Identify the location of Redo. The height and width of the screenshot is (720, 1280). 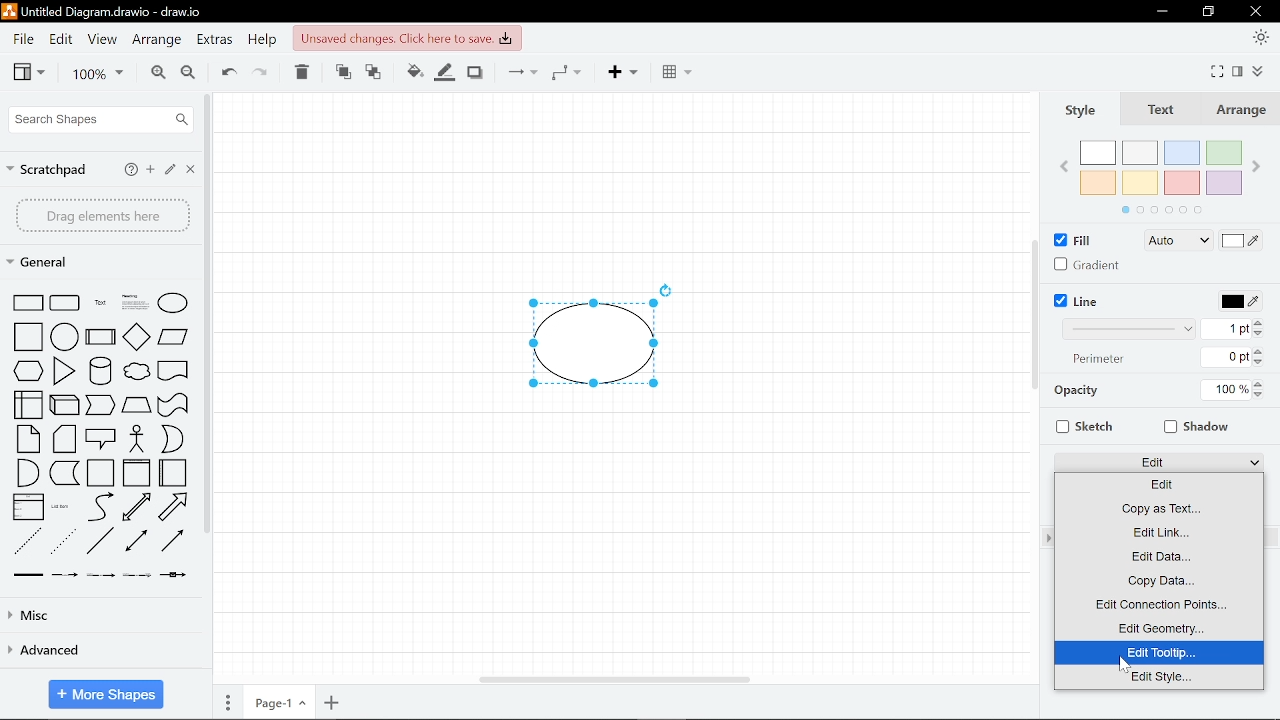
(262, 73).